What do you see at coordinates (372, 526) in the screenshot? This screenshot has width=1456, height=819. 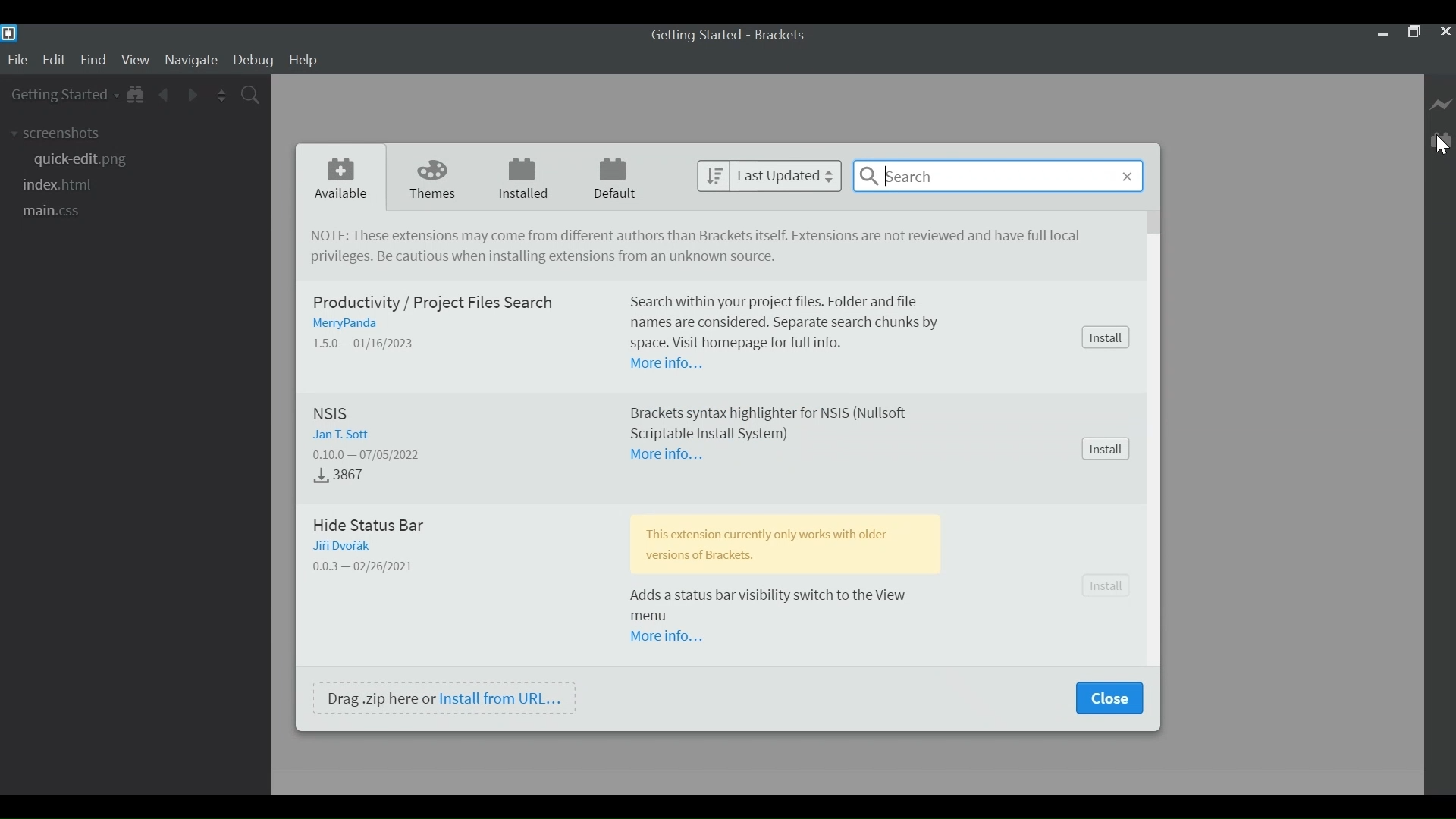 I see `Hide Status Bar` at bounding box center [372, 526].